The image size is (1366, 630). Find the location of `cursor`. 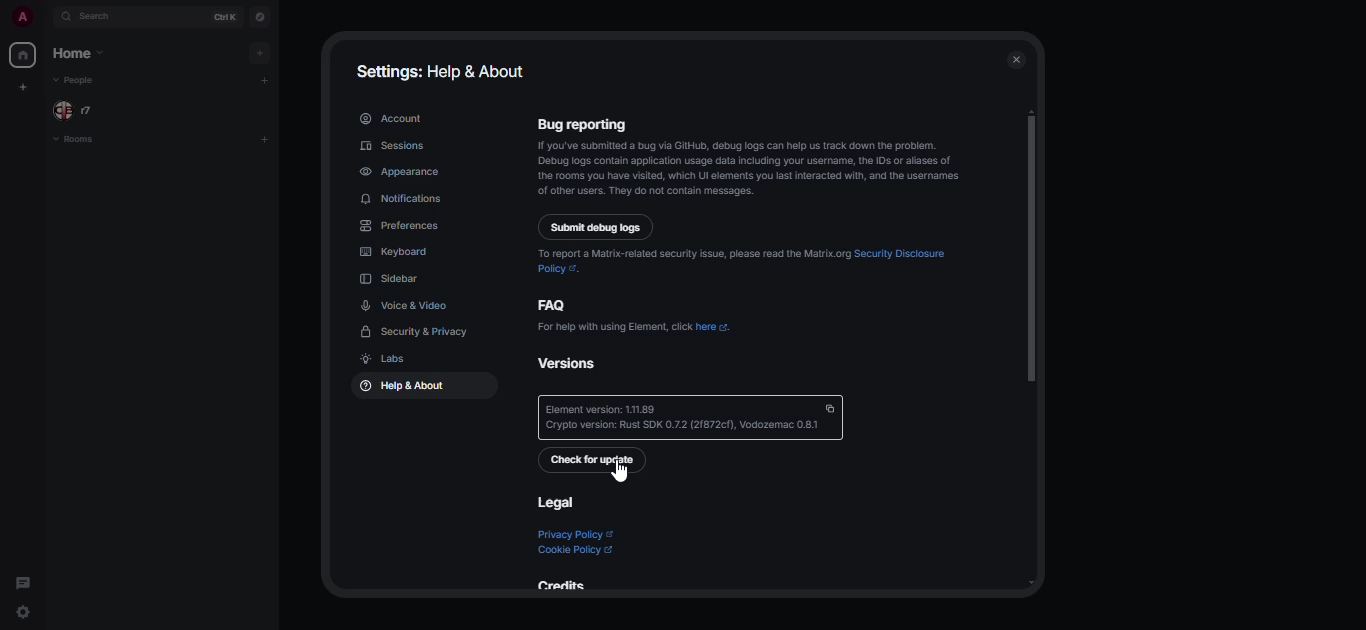

cursor is located at coordinates (620, 473).